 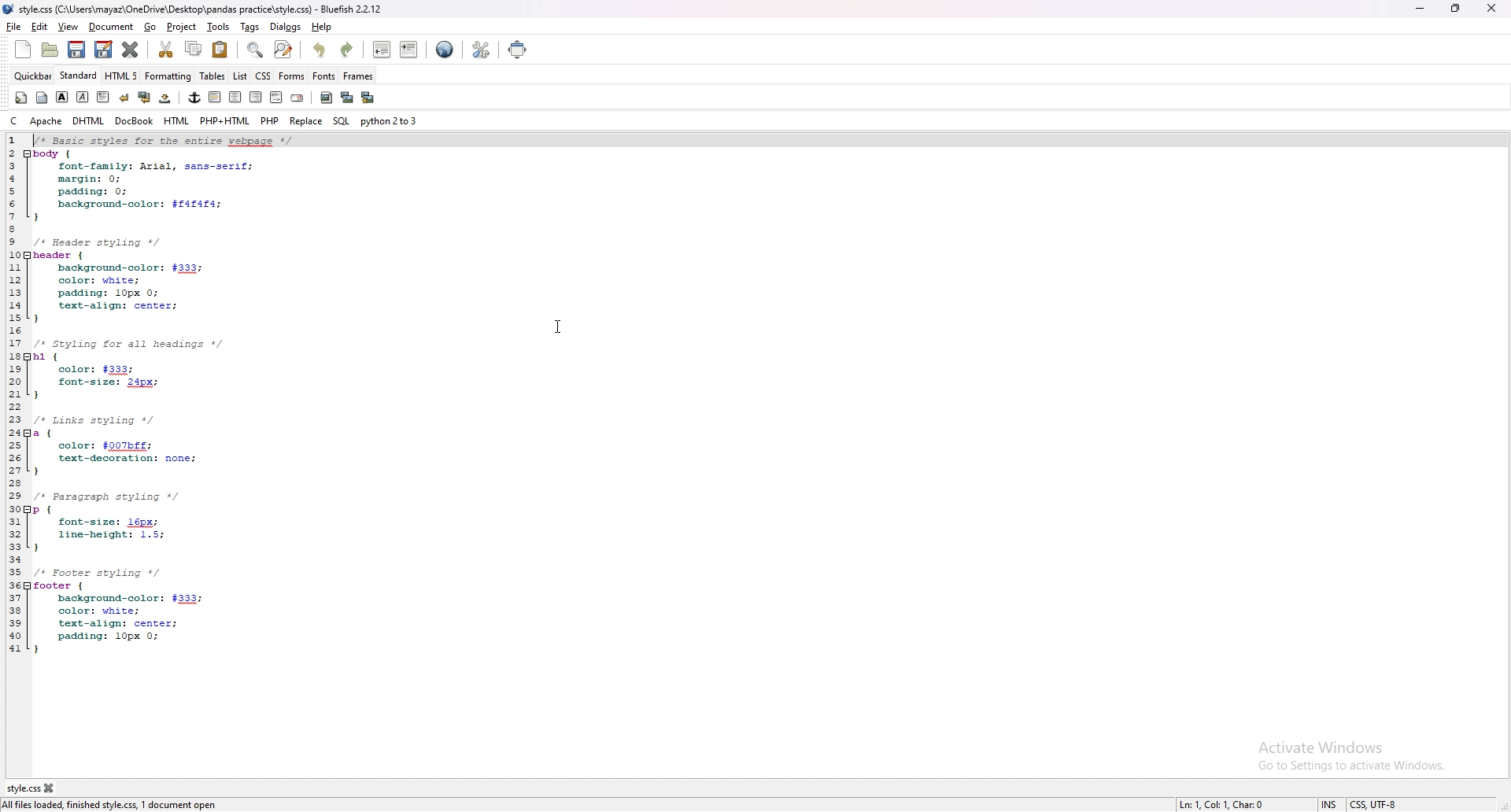 I want to click on formatting, so click(x=168, y=76).